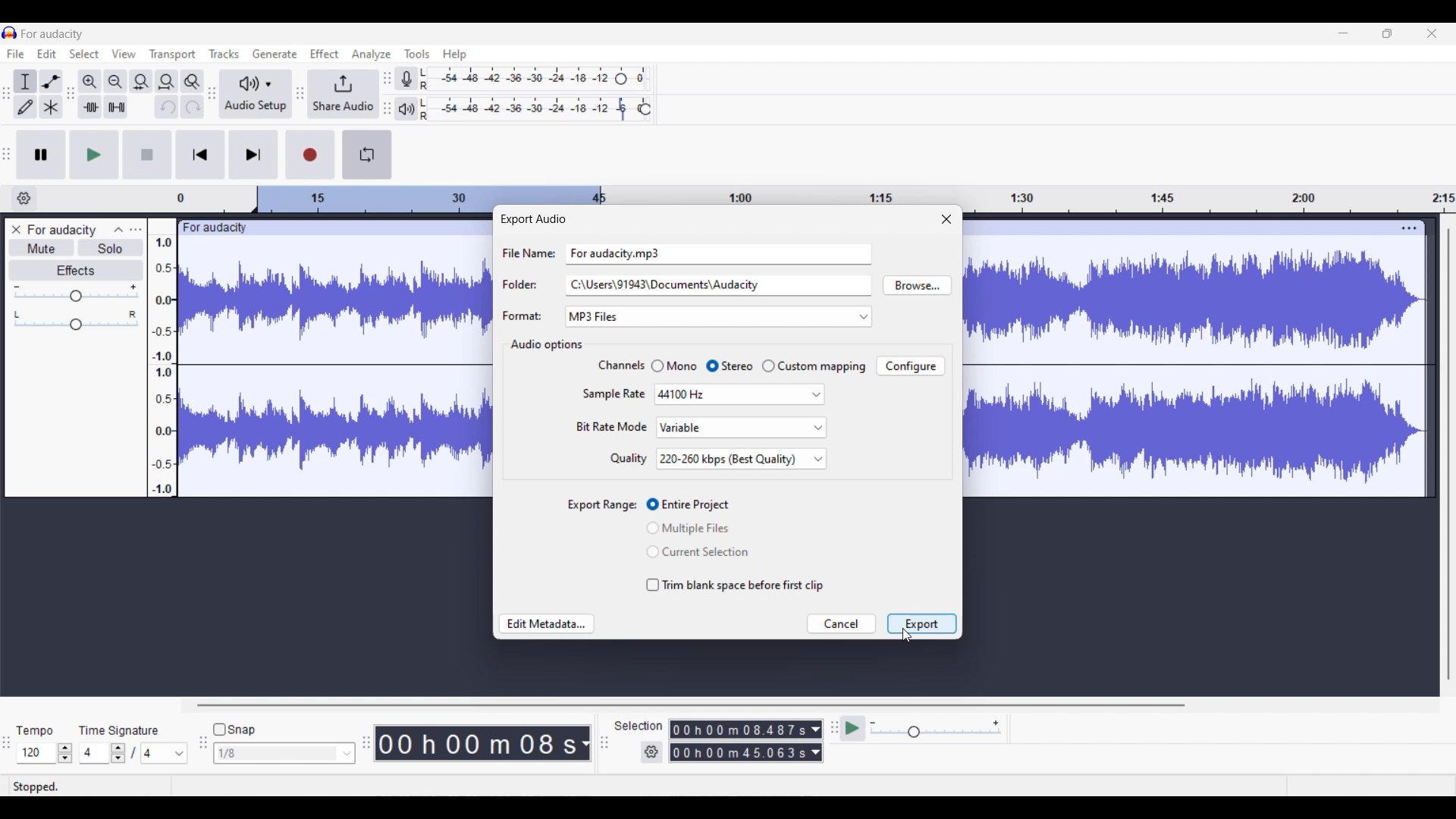  What do you see at coordinates (84, 54) in the screenshot?
I see `Select menu` at bounding box center [84, 54].